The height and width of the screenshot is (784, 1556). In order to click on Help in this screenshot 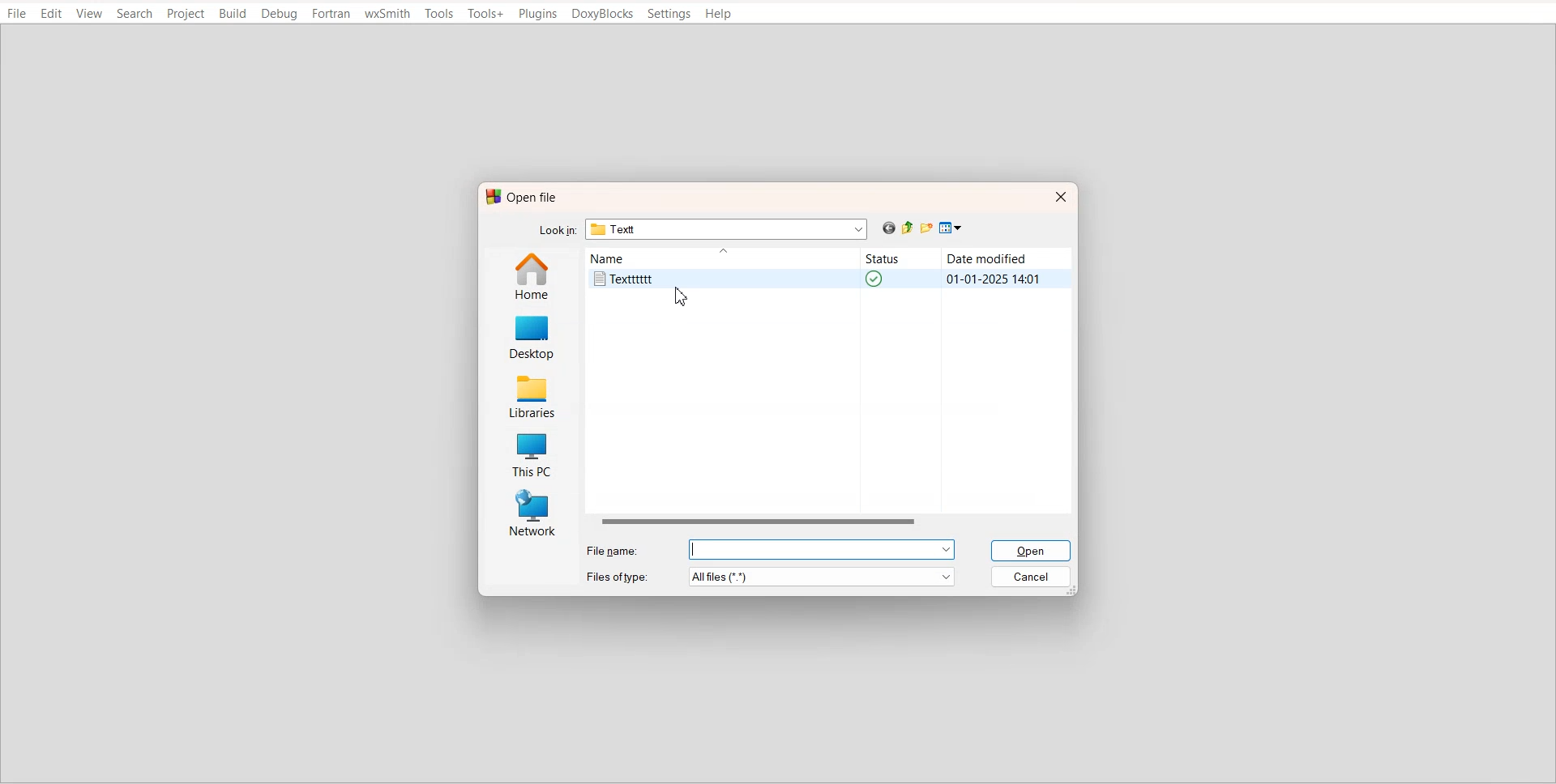, I will do `click(719, 14)`.